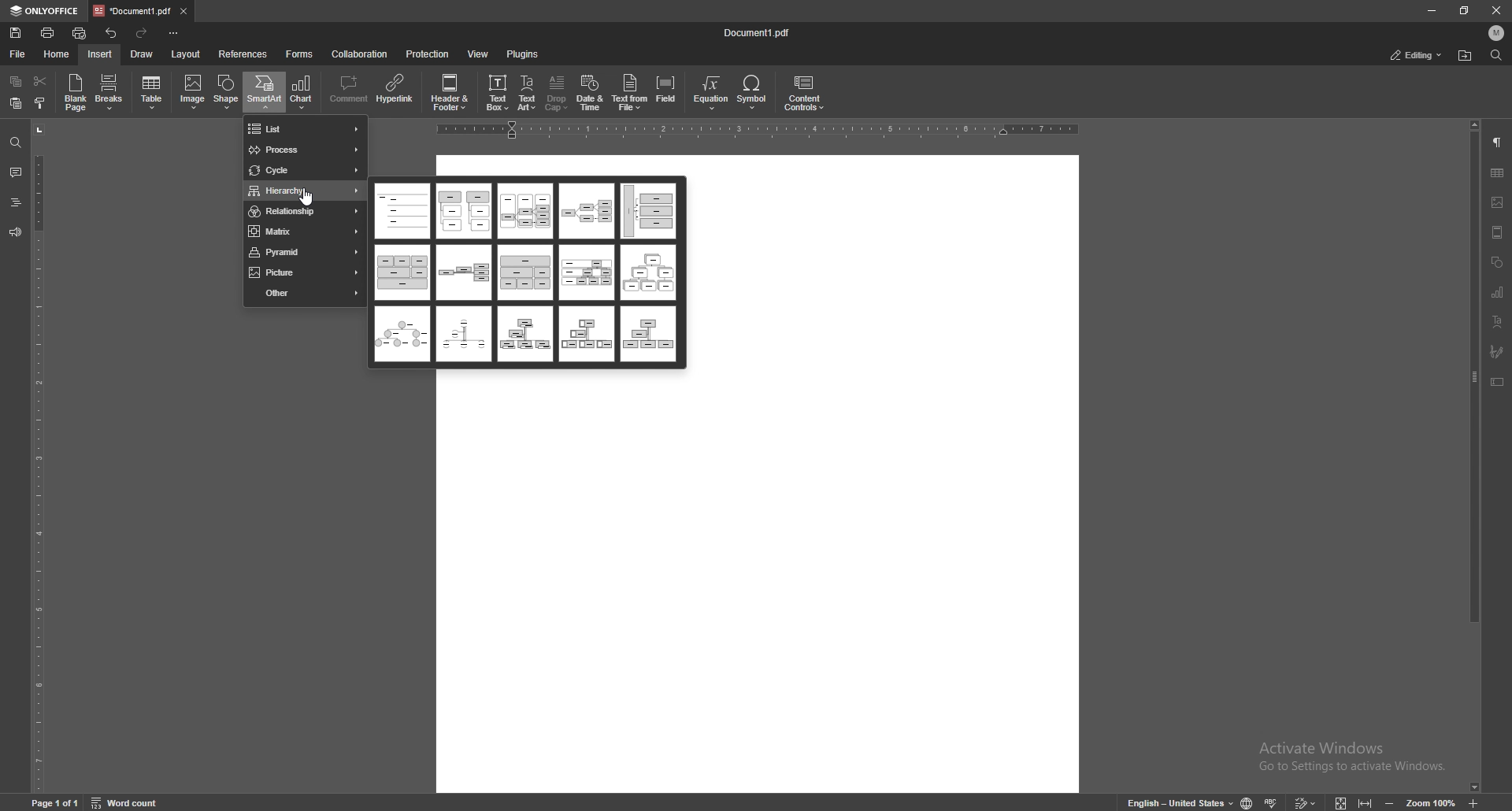 This screenshot has height=811, width=1512. Describe the element at coordinates (127, 801) in the screenshot. I see `word count` at that location.